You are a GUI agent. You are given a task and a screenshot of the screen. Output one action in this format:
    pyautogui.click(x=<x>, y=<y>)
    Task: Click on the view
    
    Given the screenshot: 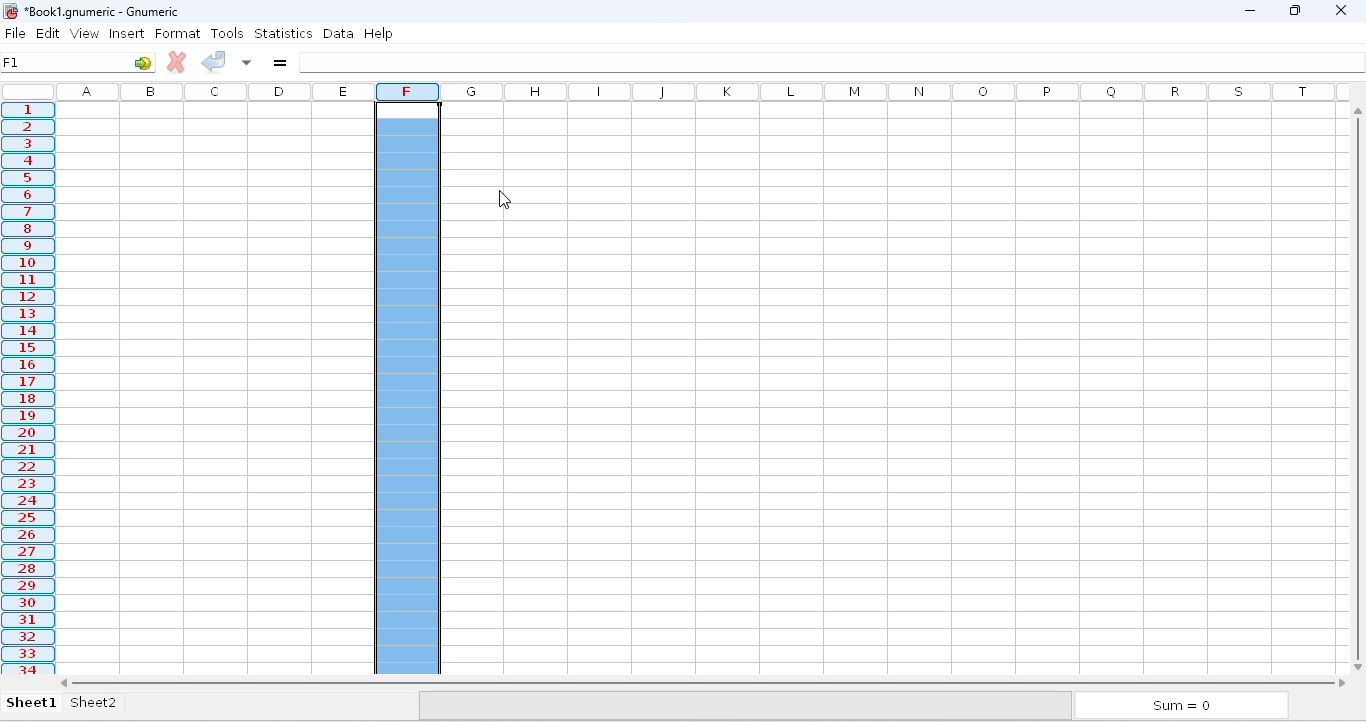 What is the action you would take?
    pyautogui.click(x=85, y=34)
    